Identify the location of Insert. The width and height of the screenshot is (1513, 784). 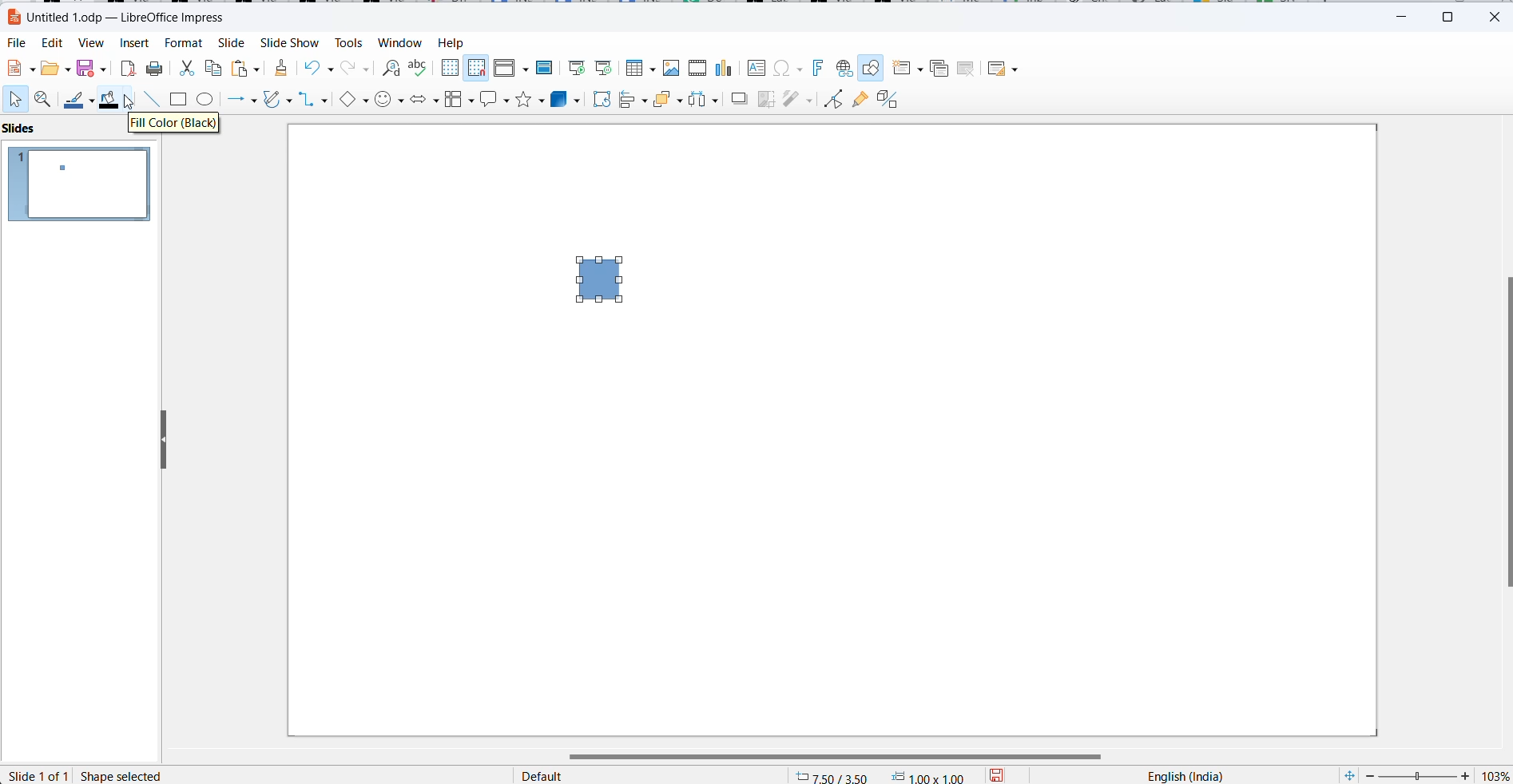
(134, 44).